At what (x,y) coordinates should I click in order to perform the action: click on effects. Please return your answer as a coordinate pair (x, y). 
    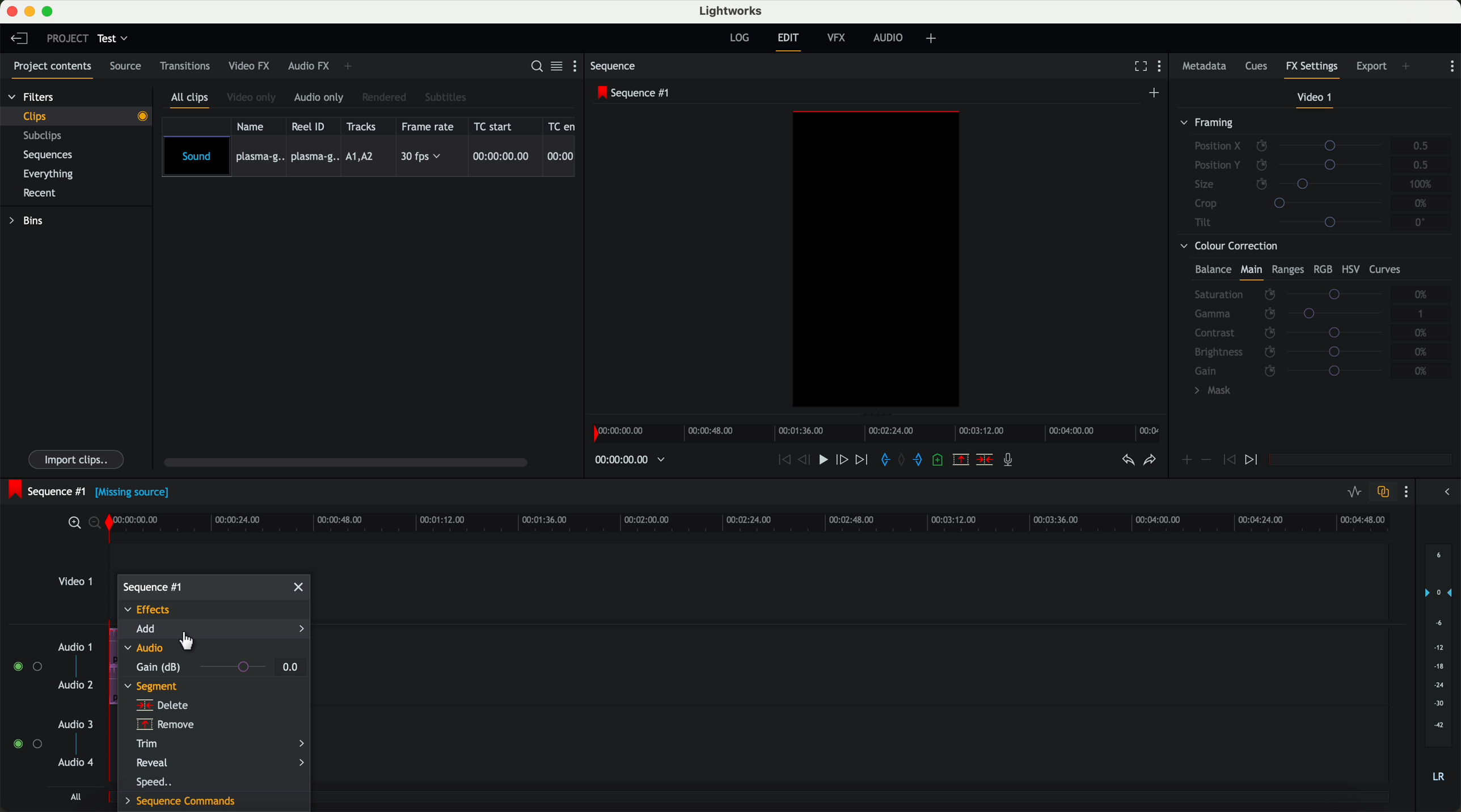
    Looking at the image, I should click on (151, 611).